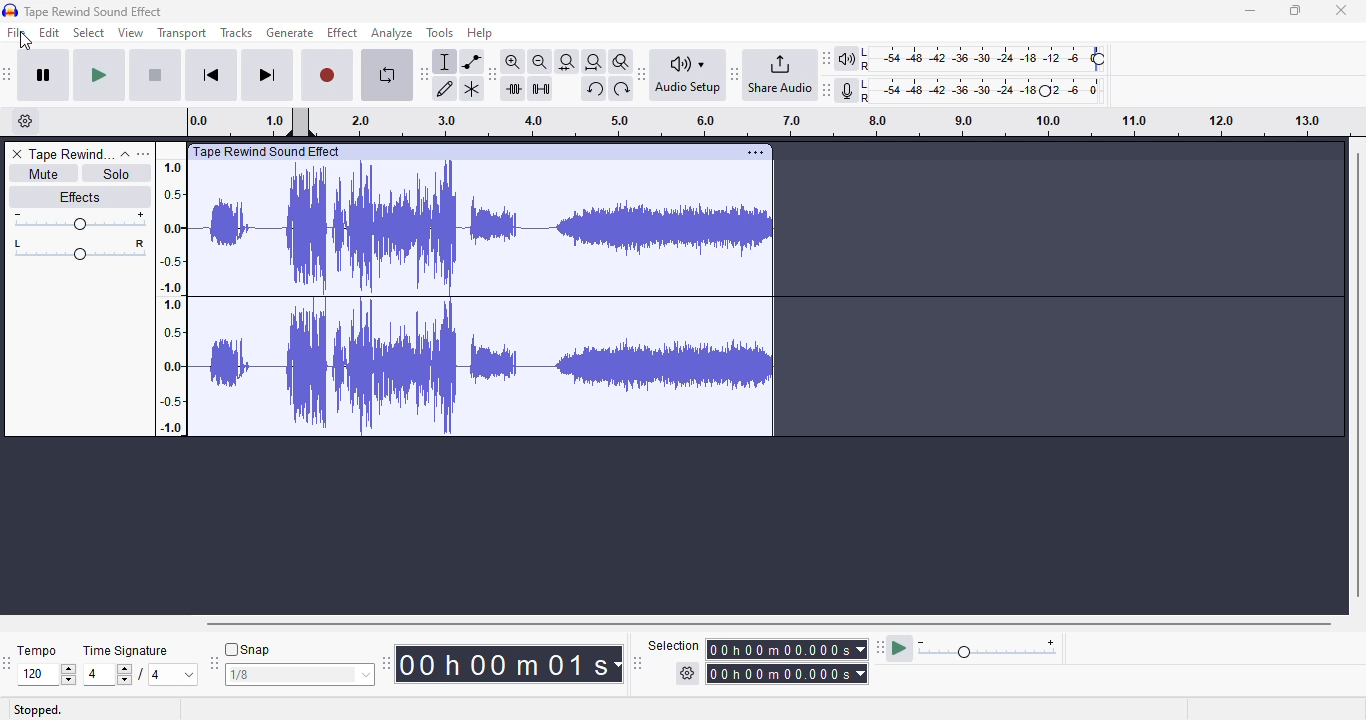  Describe the element at coordinates (965, 90) in the screenshot. I see `audacity recording meter toolbar` at that location.